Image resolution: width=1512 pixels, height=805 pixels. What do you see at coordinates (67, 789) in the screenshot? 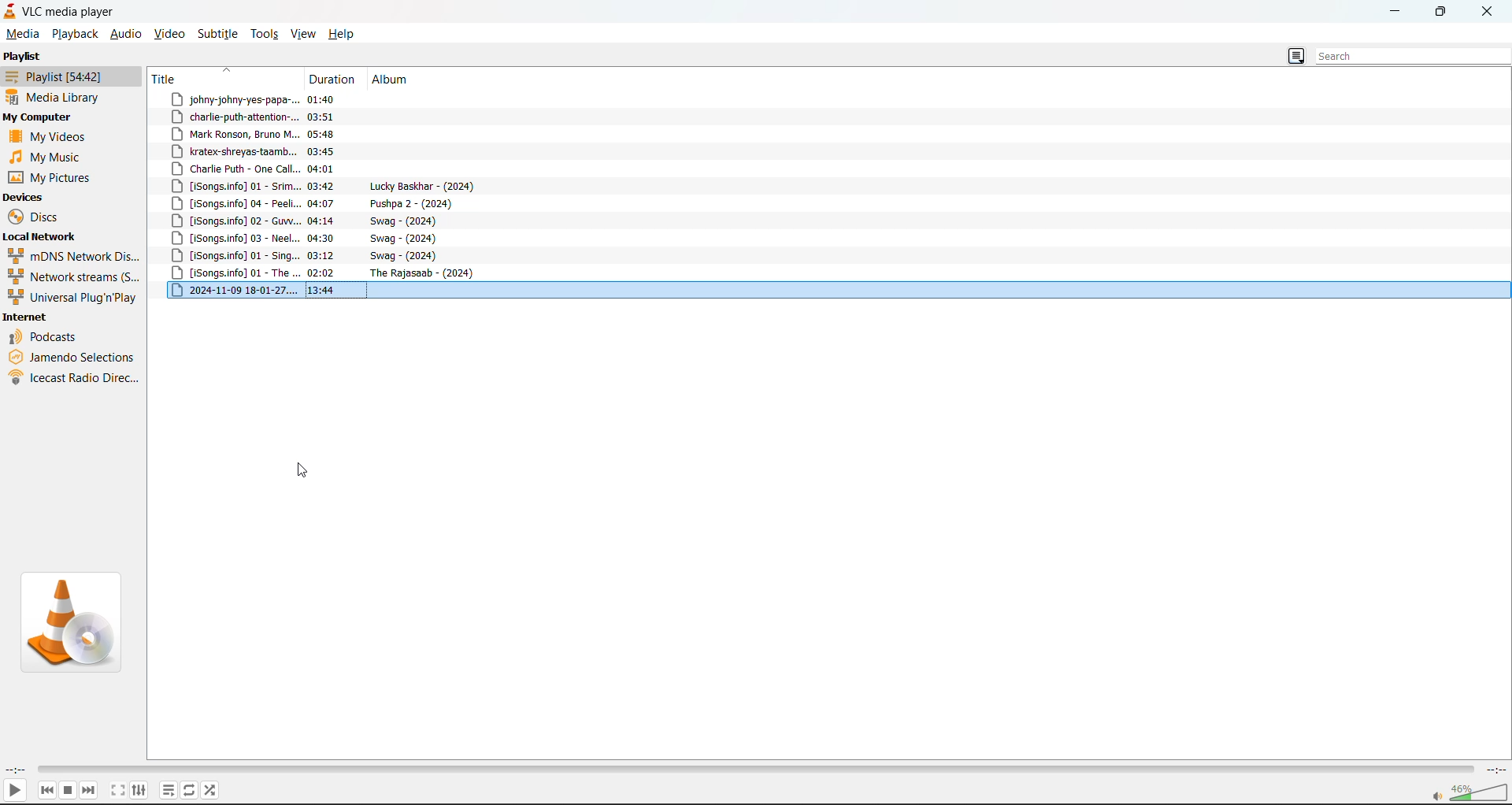
I see `stop` at bounding box center [67, 789].